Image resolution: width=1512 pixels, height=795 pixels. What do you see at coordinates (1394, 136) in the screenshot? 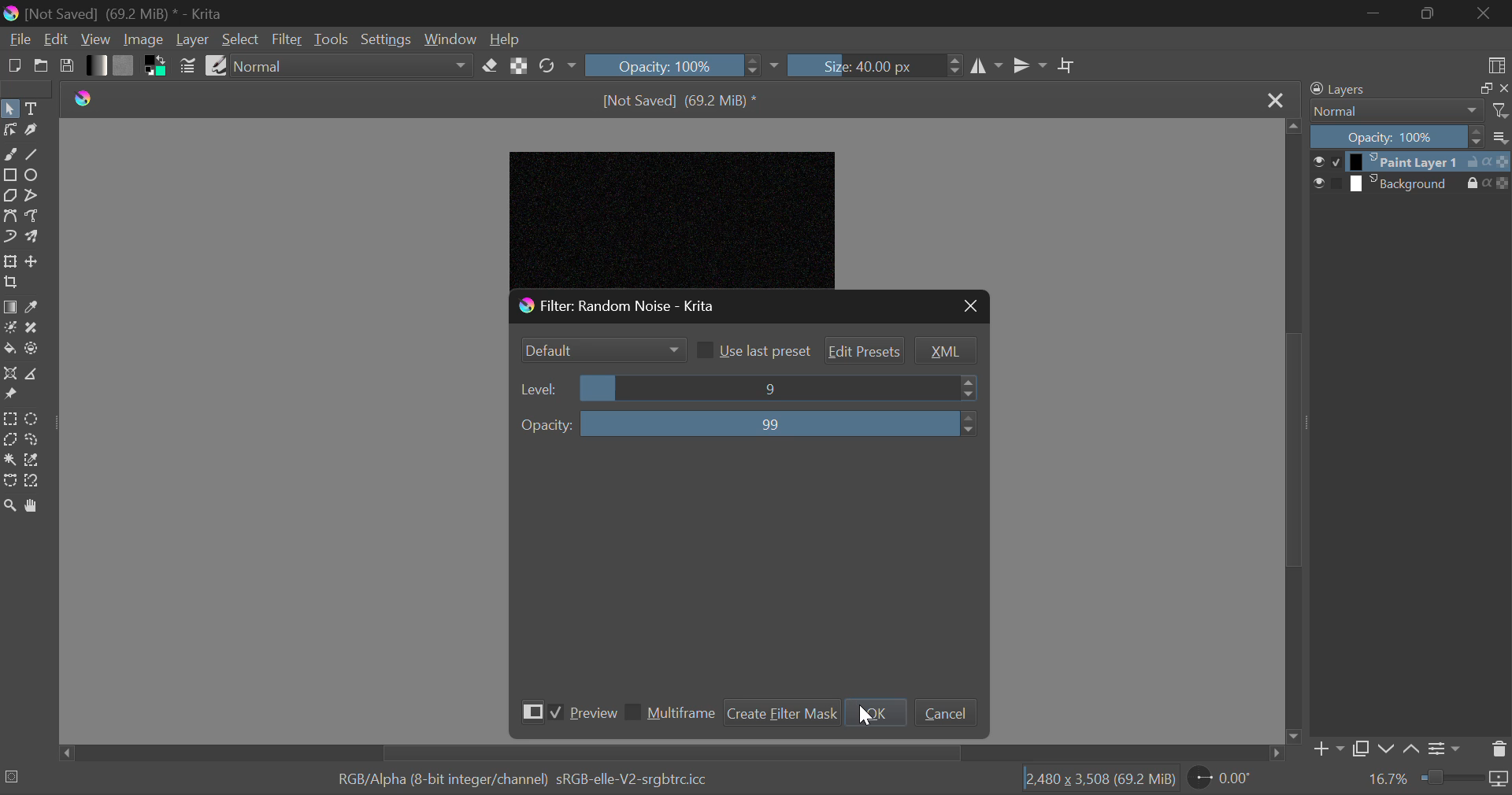
I see `Opacity` at bounding box center [1394, 136].